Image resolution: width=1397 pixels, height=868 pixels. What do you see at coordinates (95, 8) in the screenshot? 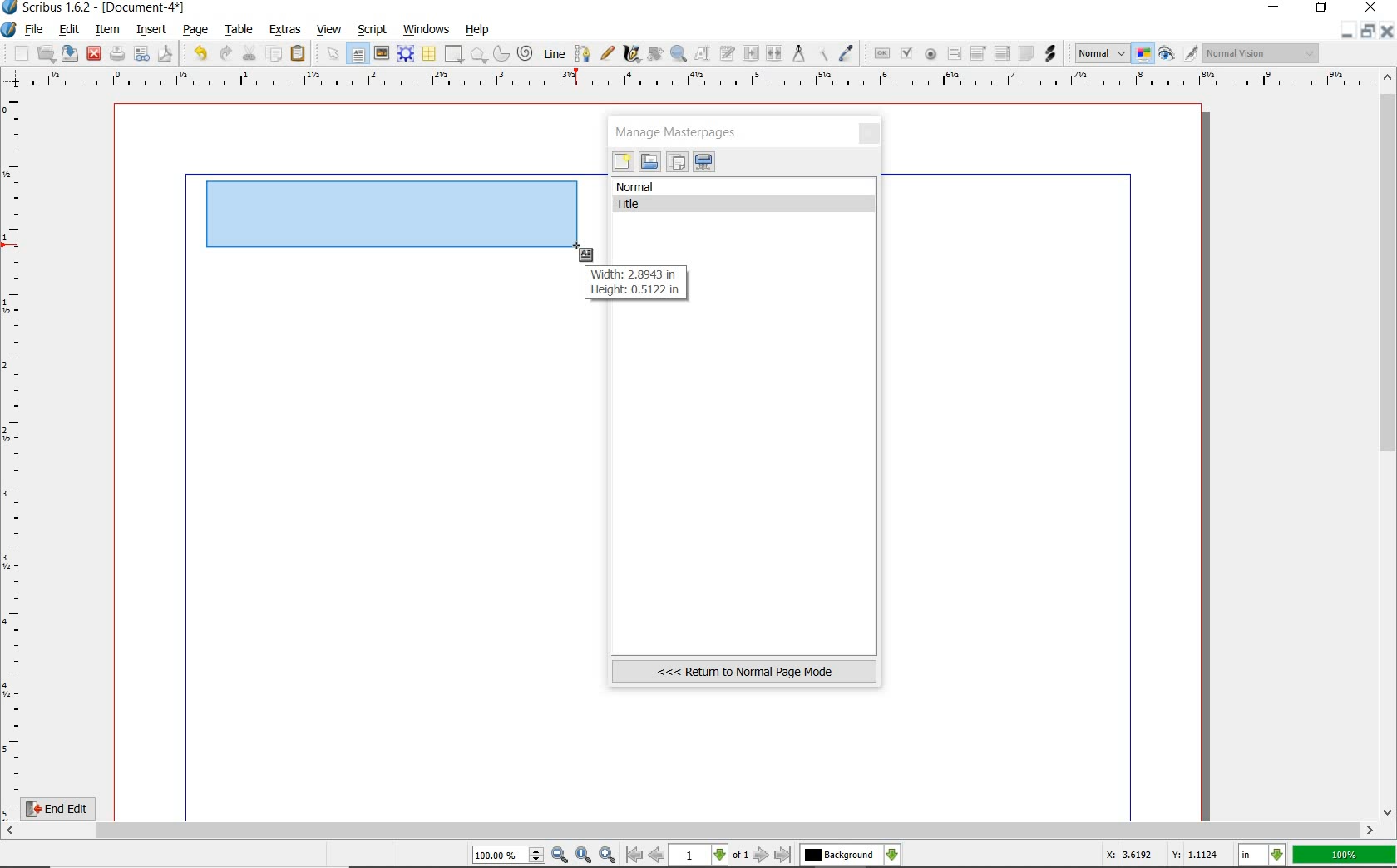
I see `Scribus 1.6.2 - [Document-4*]` at bounding box center [95, 8].